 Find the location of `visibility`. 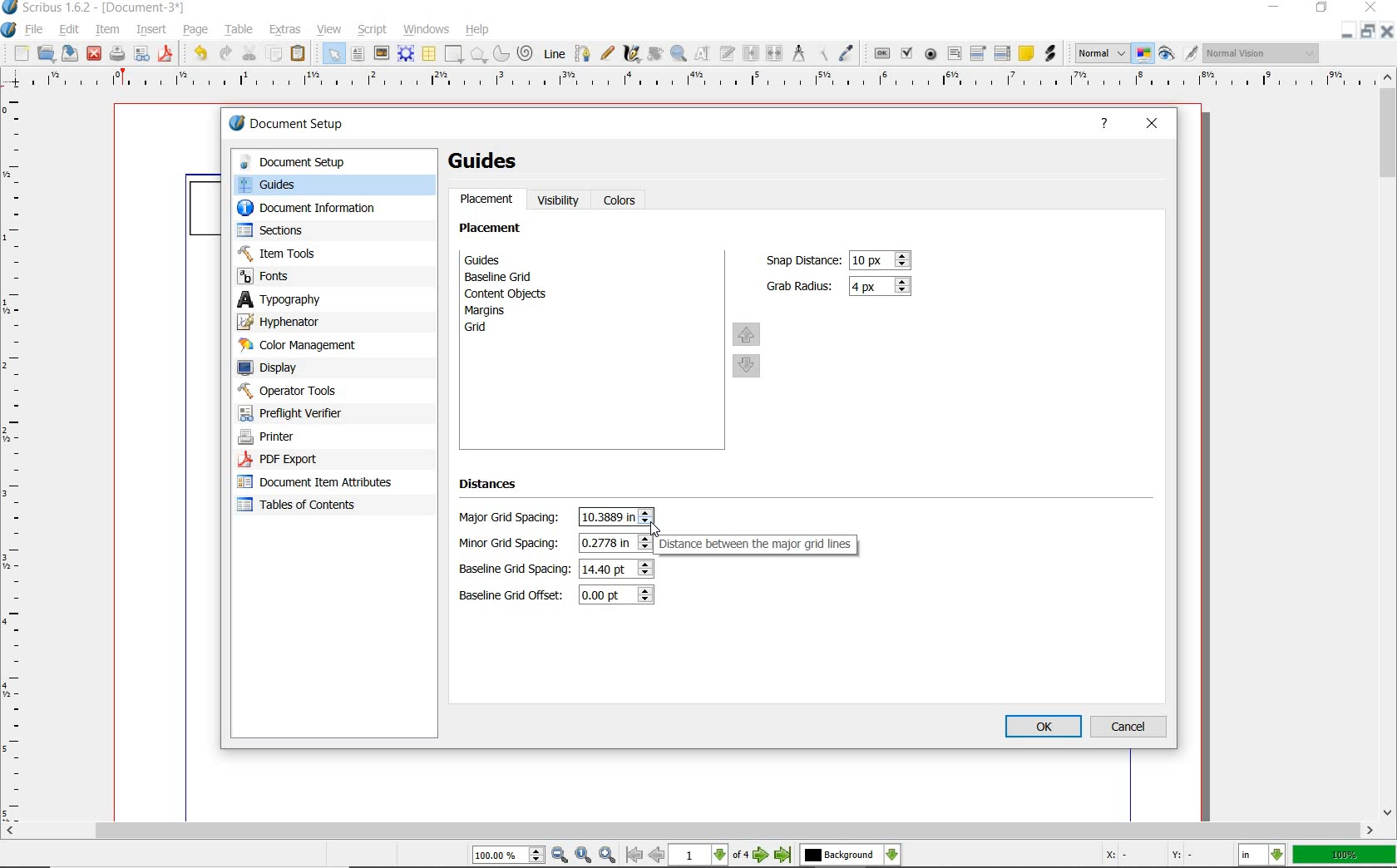

visibility is located at coordinates (559, 200).